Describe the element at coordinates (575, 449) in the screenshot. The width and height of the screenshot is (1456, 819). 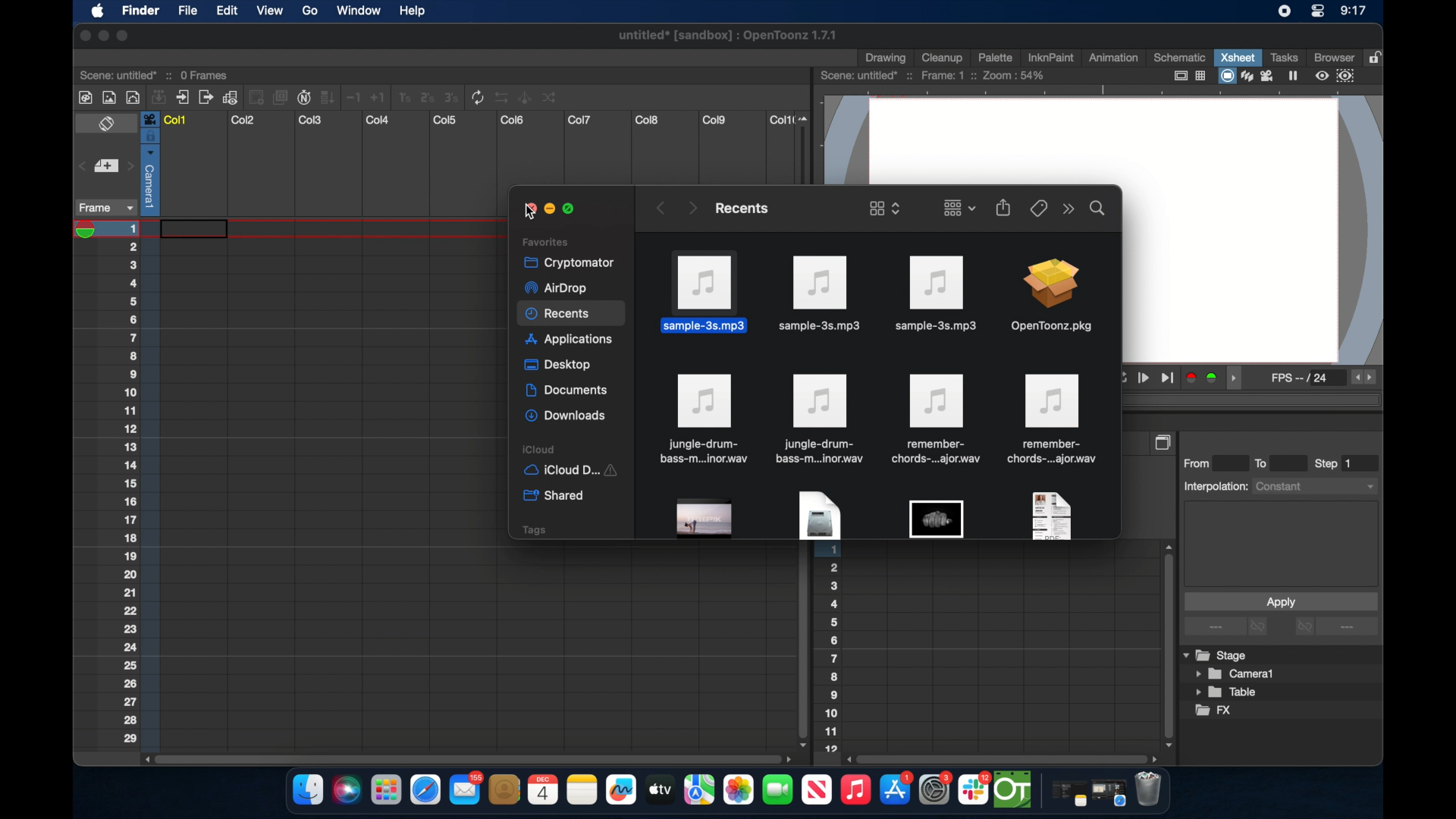
I see `icloud` at that location.